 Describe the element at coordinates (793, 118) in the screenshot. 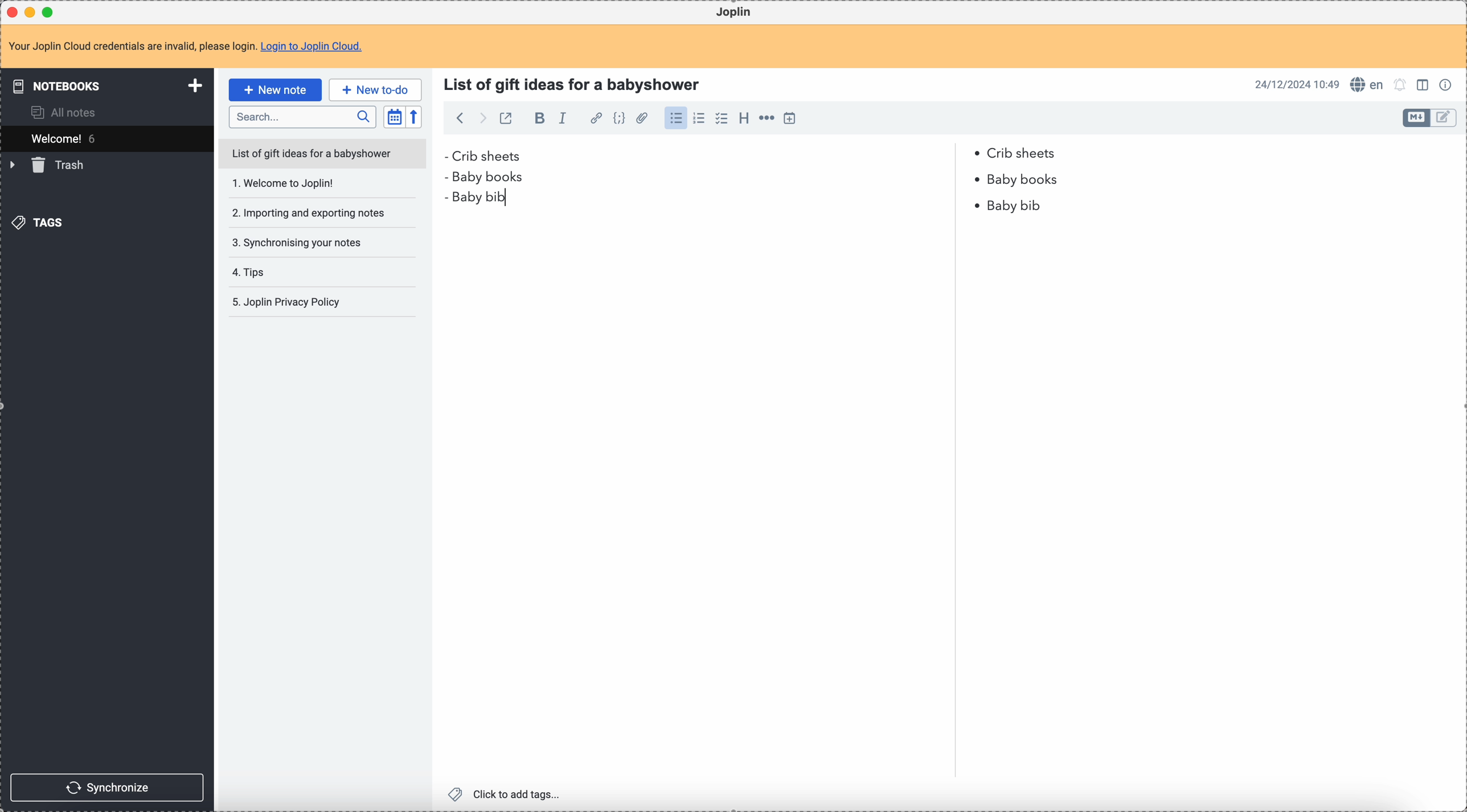

I see `insert time` at that location.